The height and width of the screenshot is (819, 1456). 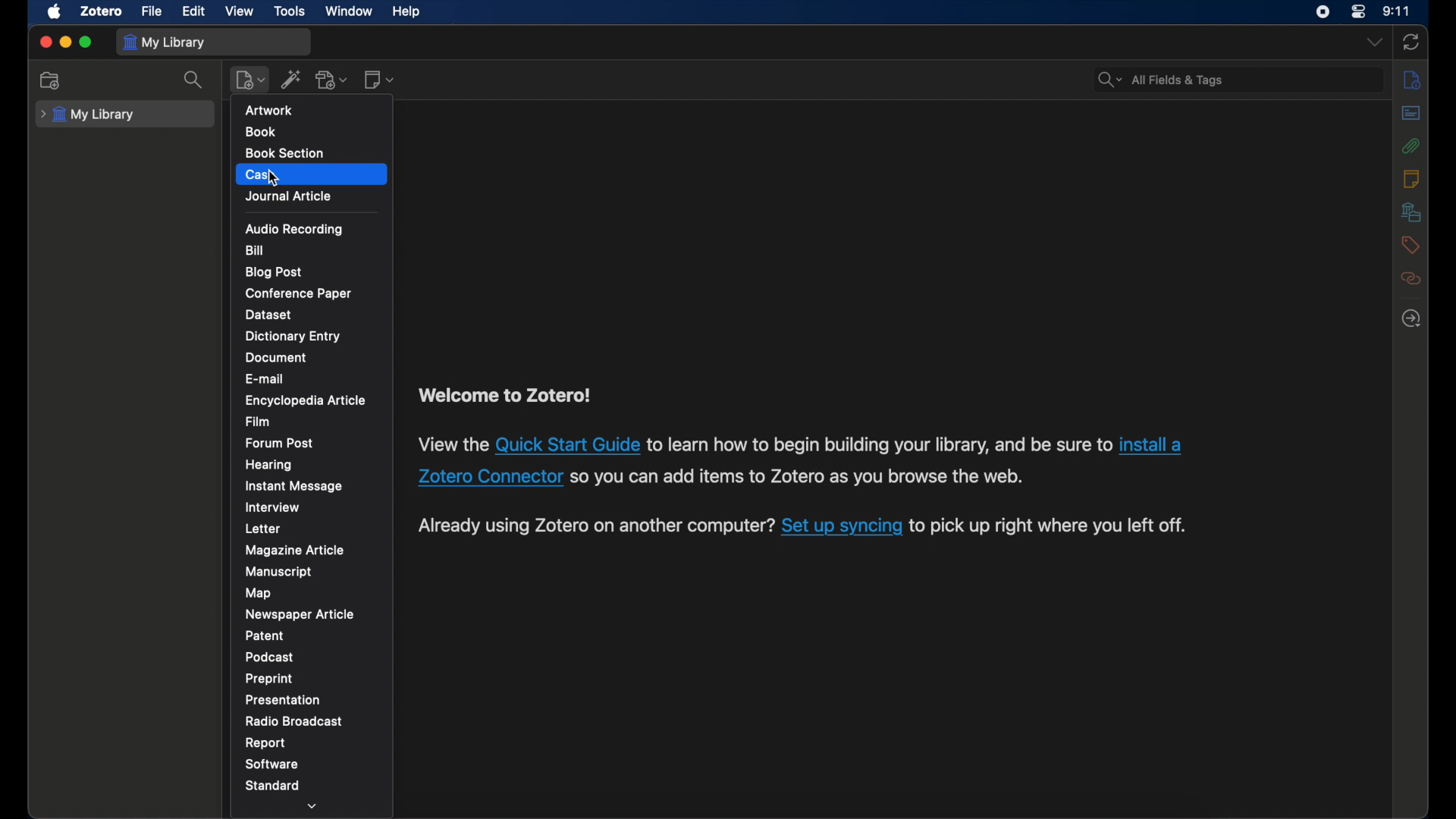 I want to click on window, so click(x=350, y=11).